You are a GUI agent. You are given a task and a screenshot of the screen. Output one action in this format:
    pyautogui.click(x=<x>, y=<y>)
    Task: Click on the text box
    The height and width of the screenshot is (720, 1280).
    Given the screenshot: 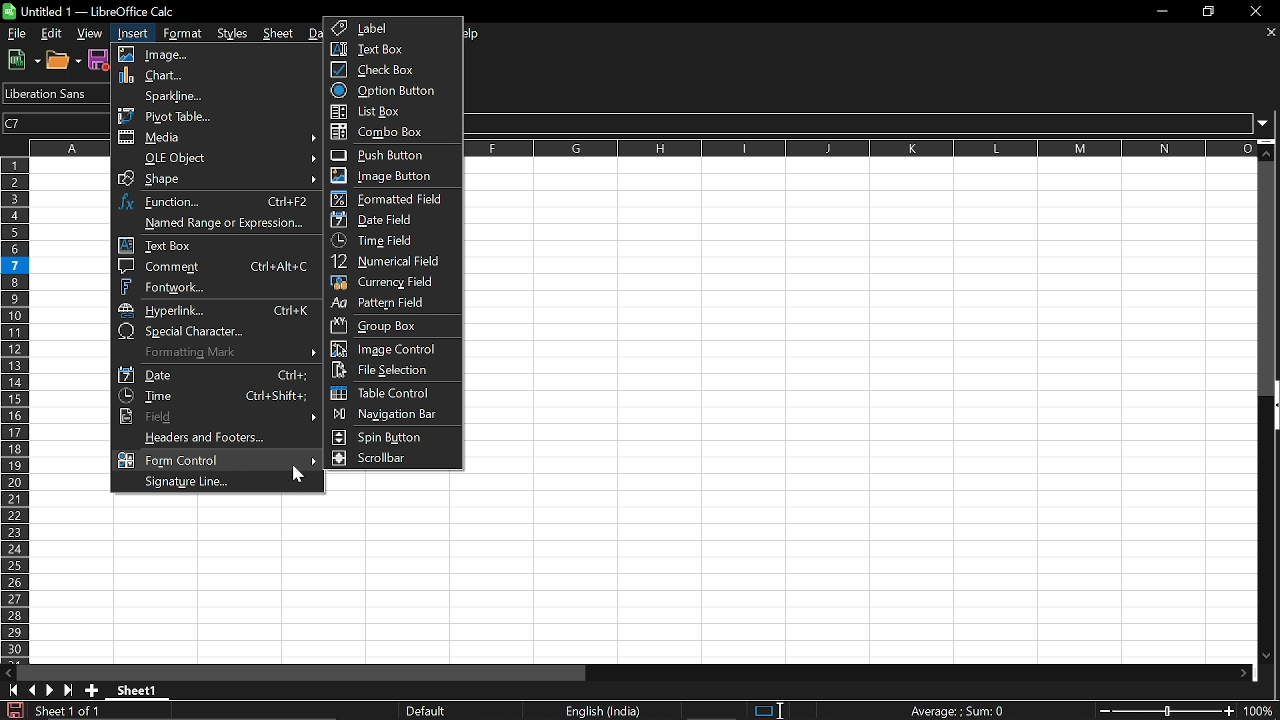 What is the action you would take?
    pyautogui.click(x=215, y=245)
    